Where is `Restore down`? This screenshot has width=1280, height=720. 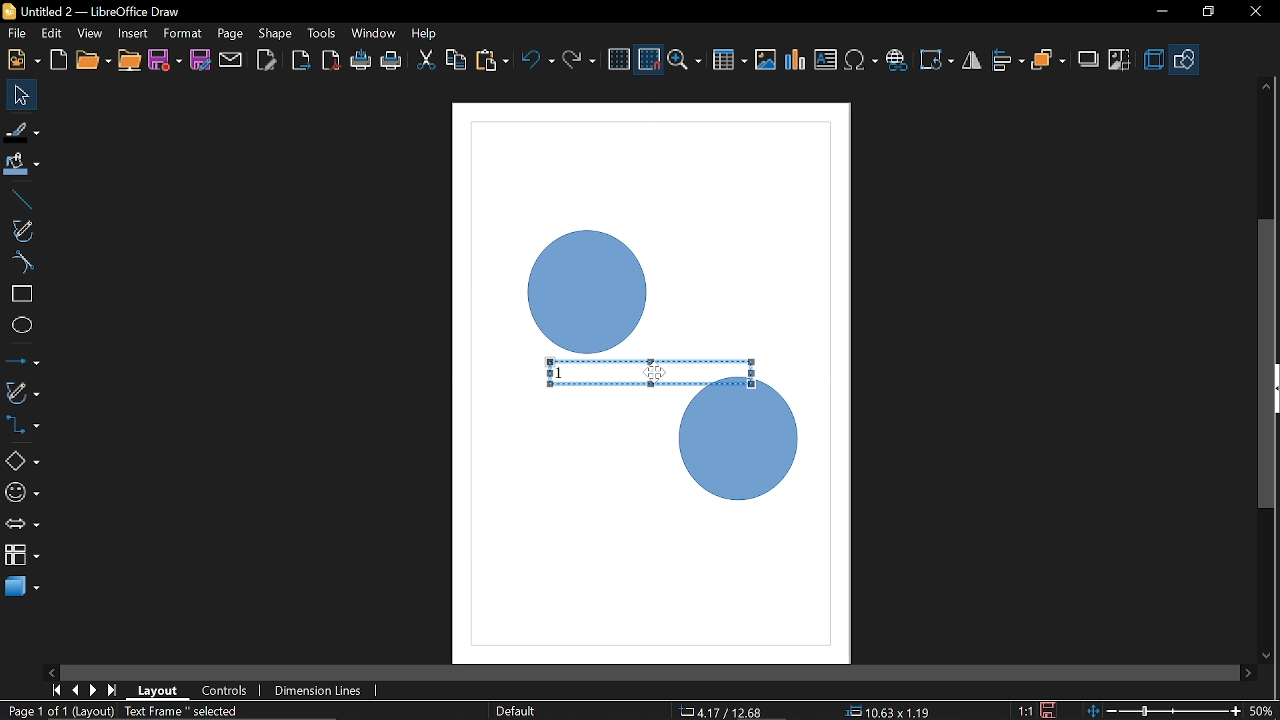 Restore down is located at coordinates (1207, 11).